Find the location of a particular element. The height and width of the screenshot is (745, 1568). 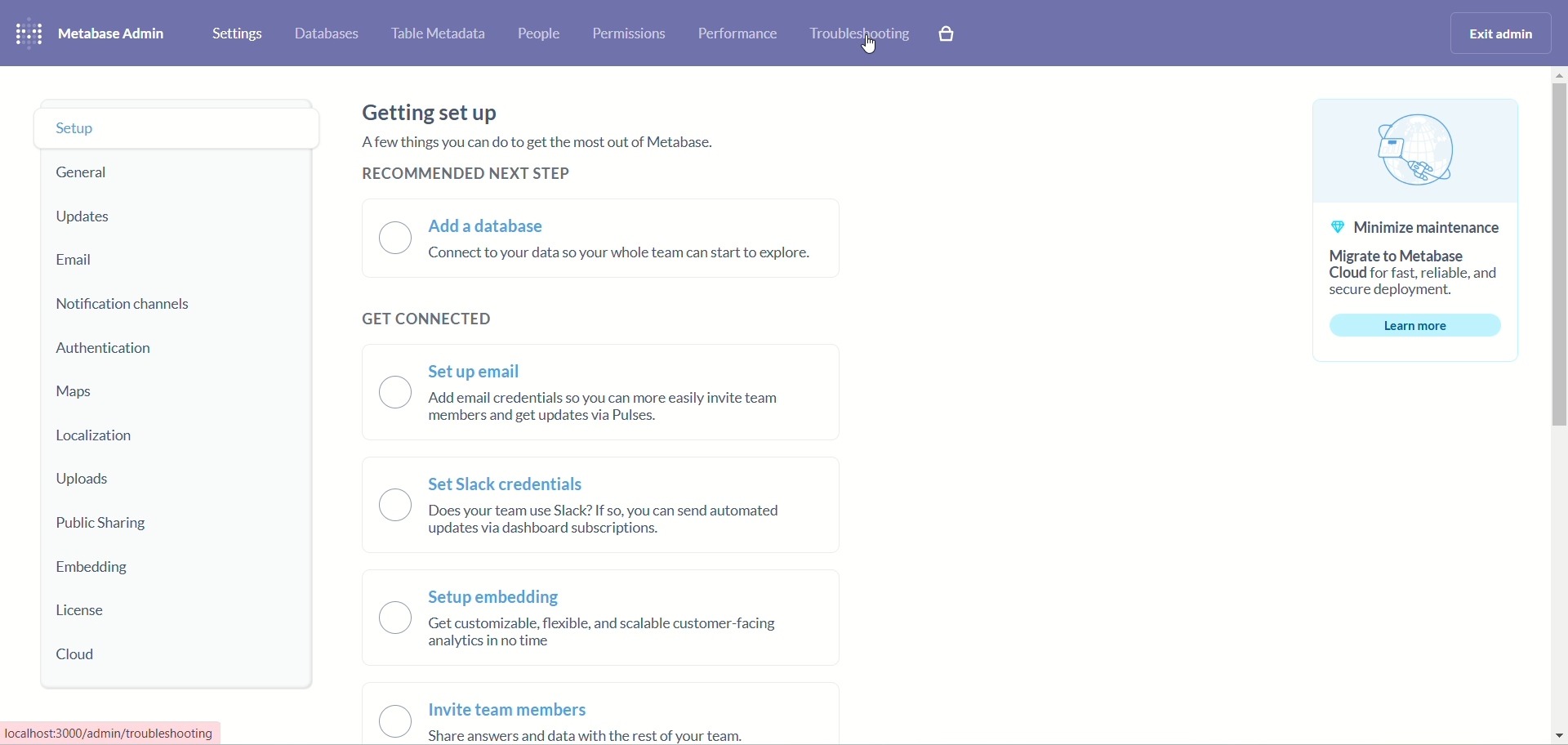

metabase admin is located at coordinates (114, 33).